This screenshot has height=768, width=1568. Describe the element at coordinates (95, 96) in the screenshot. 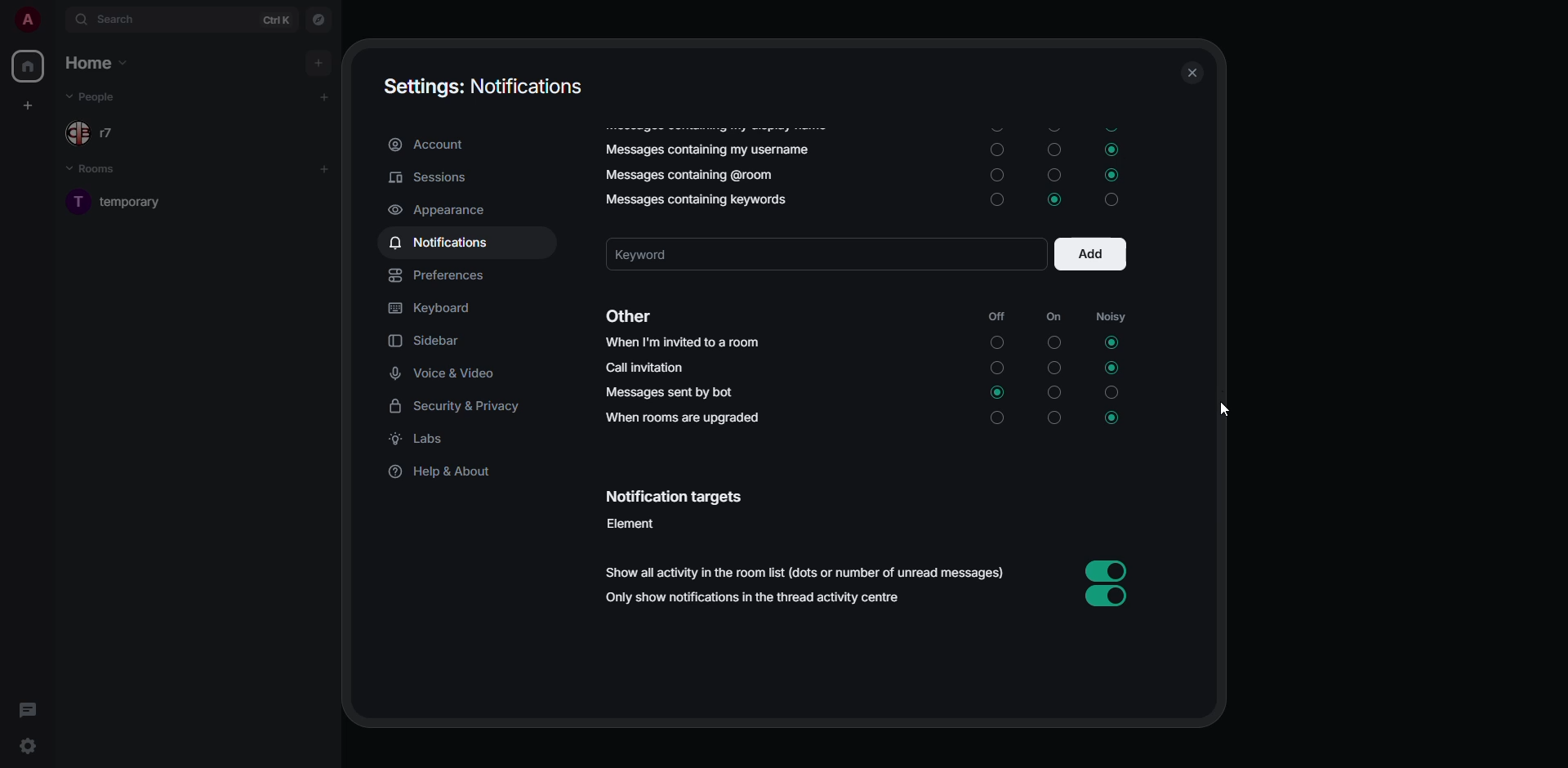

I see `people` at that location.